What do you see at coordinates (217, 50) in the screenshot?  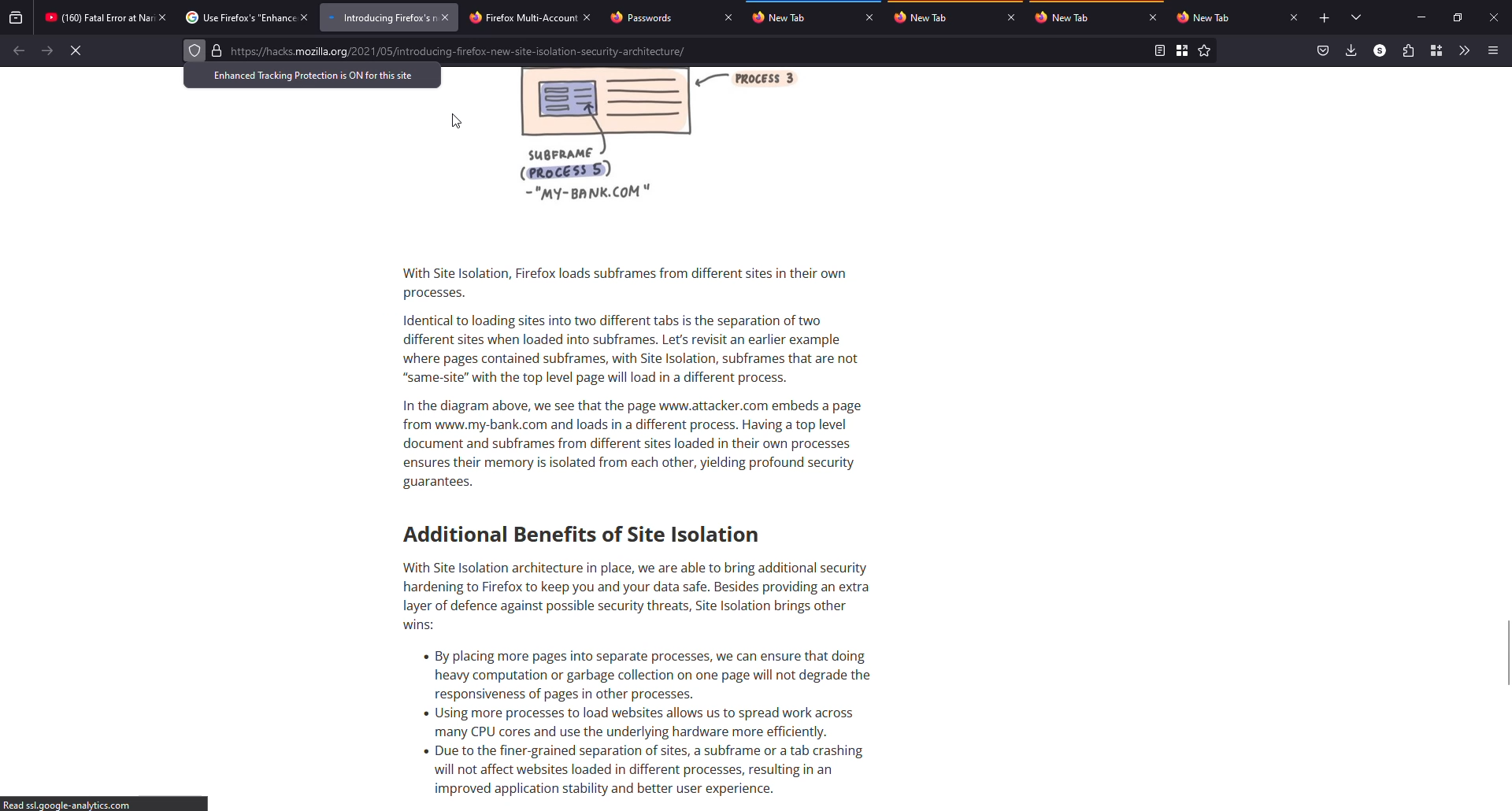 I see `lock` at bounding box center [217, 50].